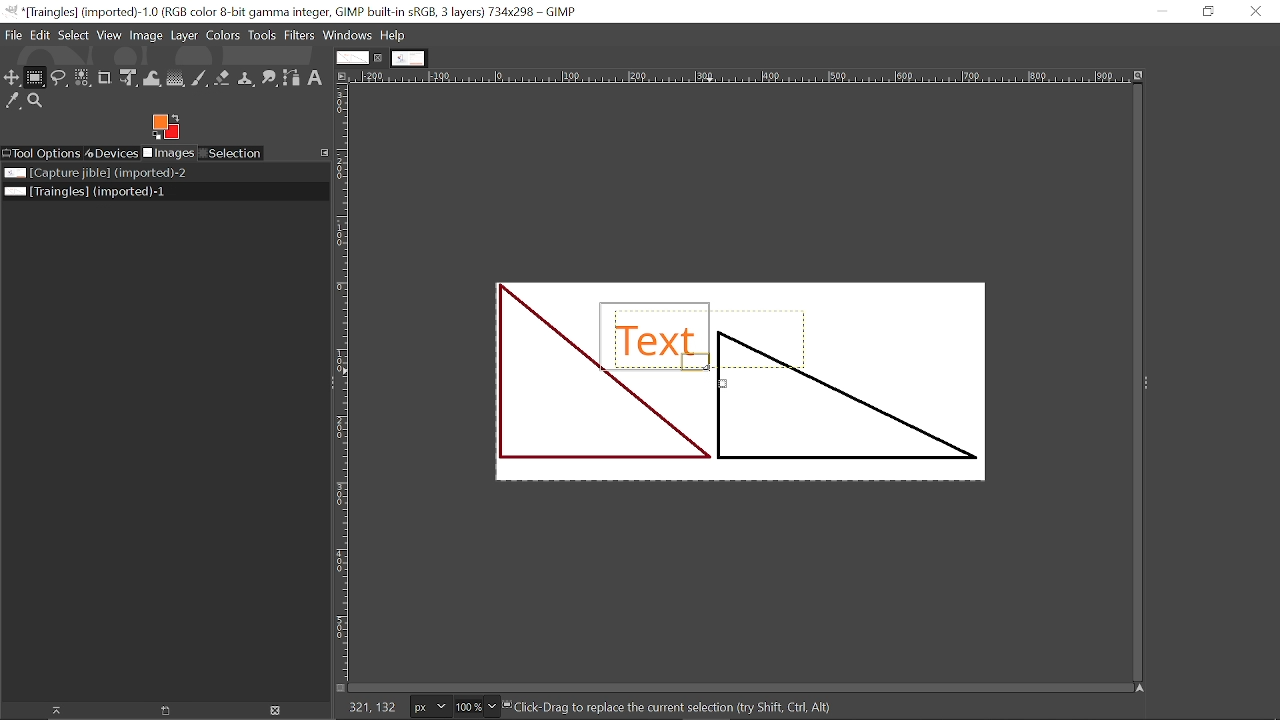 This screenshot has height=720, width=1280. I want to click on Clone tool, so click(247, 79).